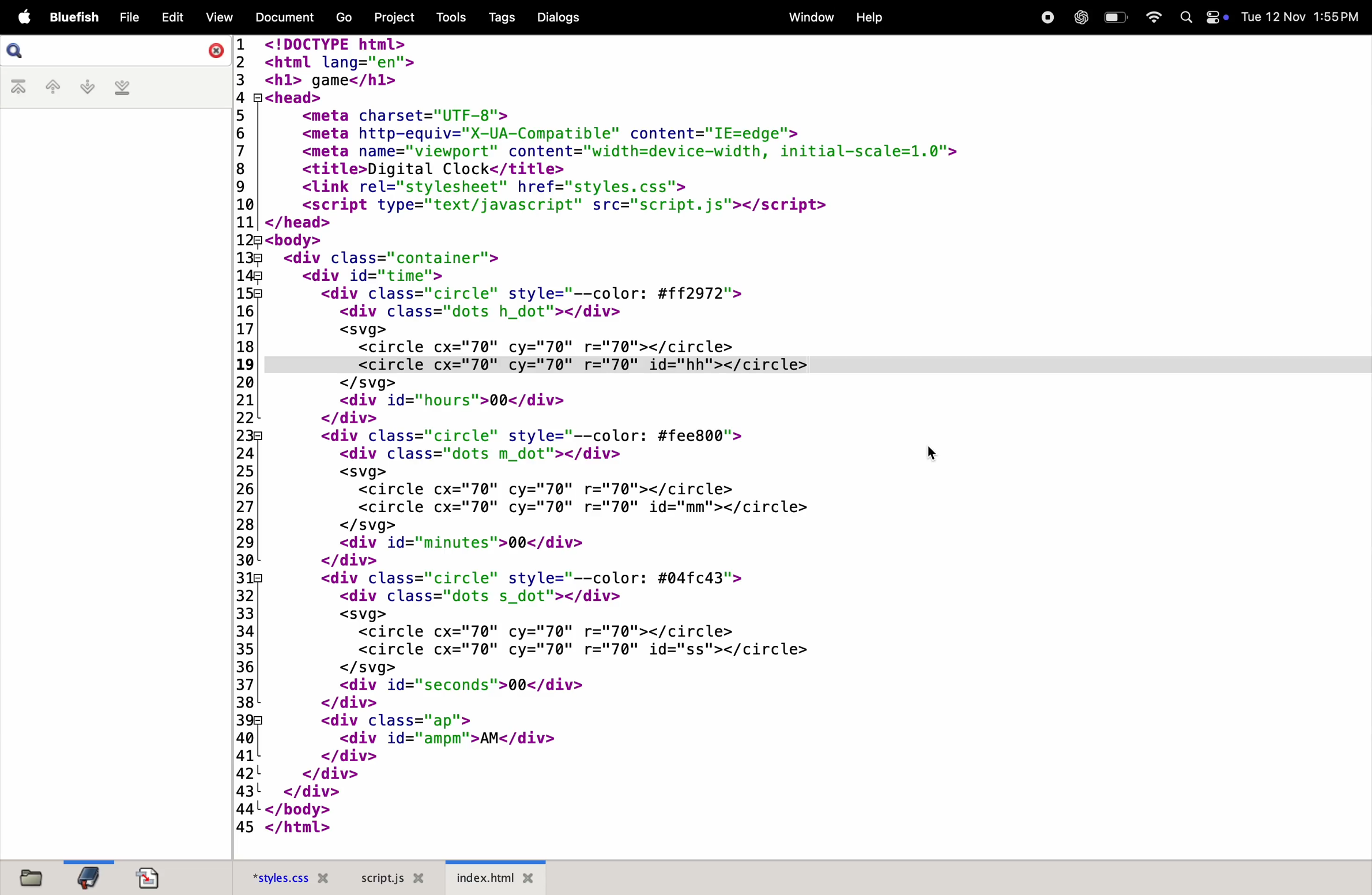 Image resolution: width=1372 pixels, height=895 pixels. Describe the element at coordinates (870, 17) in the screenshot. I see `help` at that location.